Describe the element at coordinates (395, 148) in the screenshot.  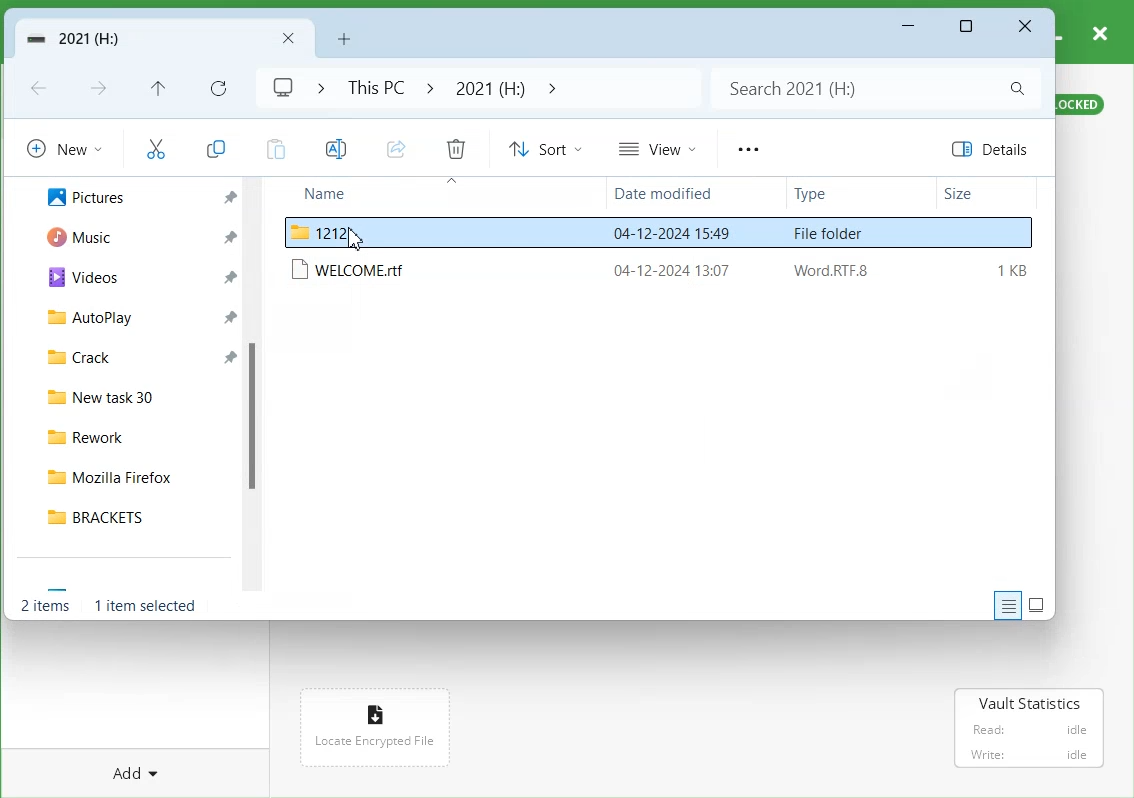
I see `Share` at that location.